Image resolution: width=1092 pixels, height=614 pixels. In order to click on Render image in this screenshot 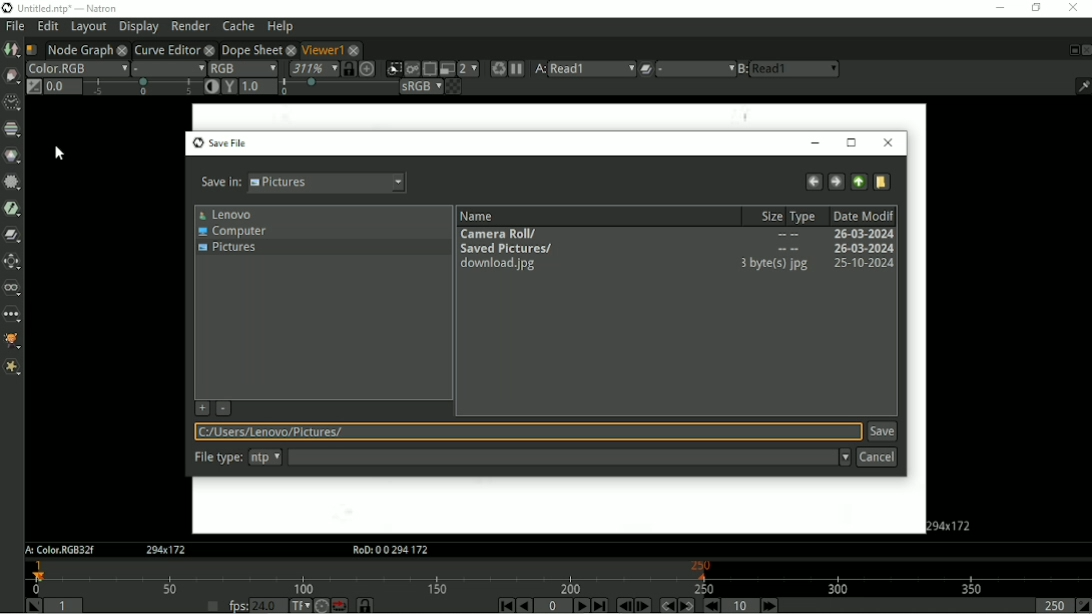, I will do `click(411, 69)`.